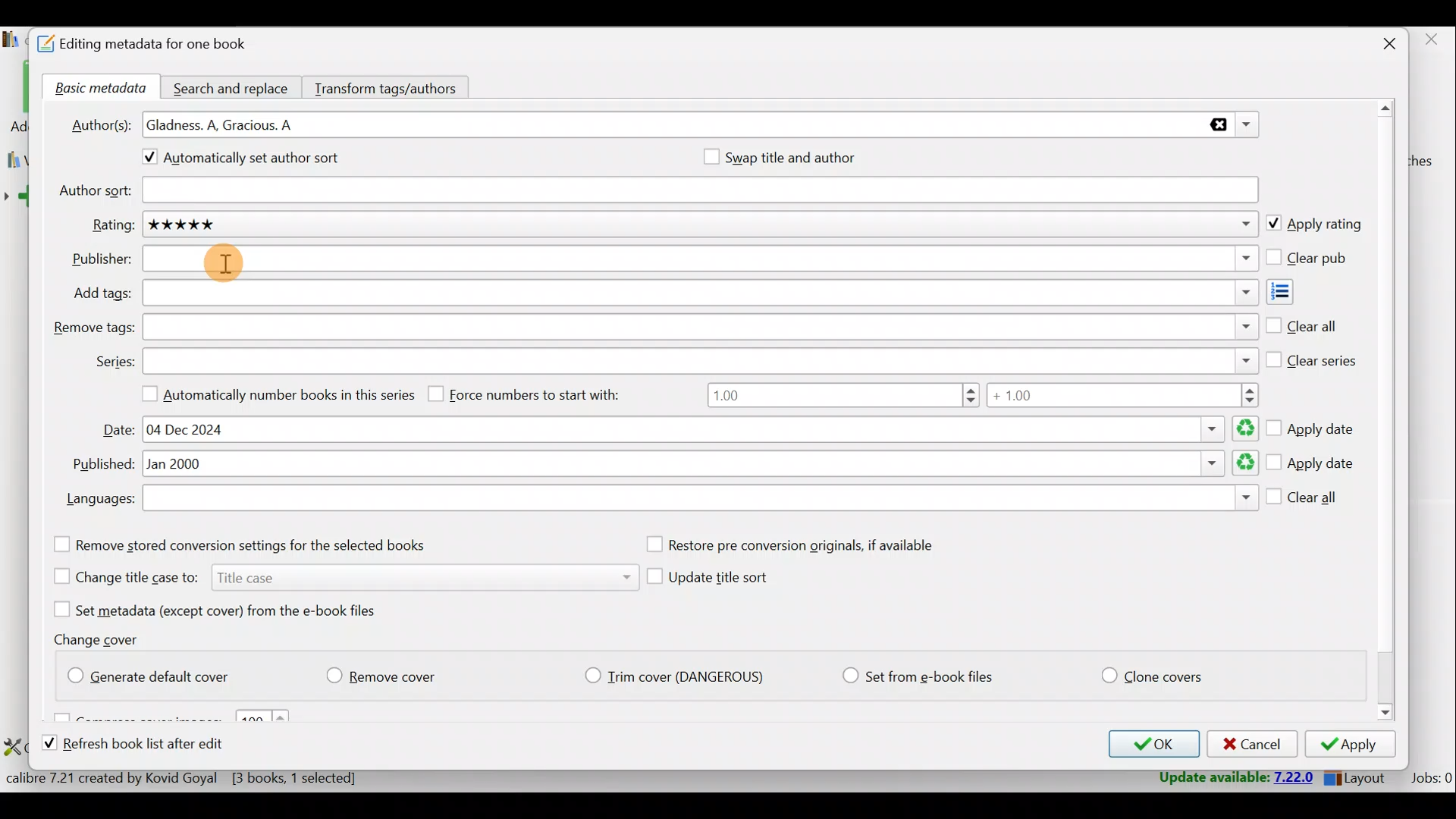  I want to click on Series:, so click(114, 362).